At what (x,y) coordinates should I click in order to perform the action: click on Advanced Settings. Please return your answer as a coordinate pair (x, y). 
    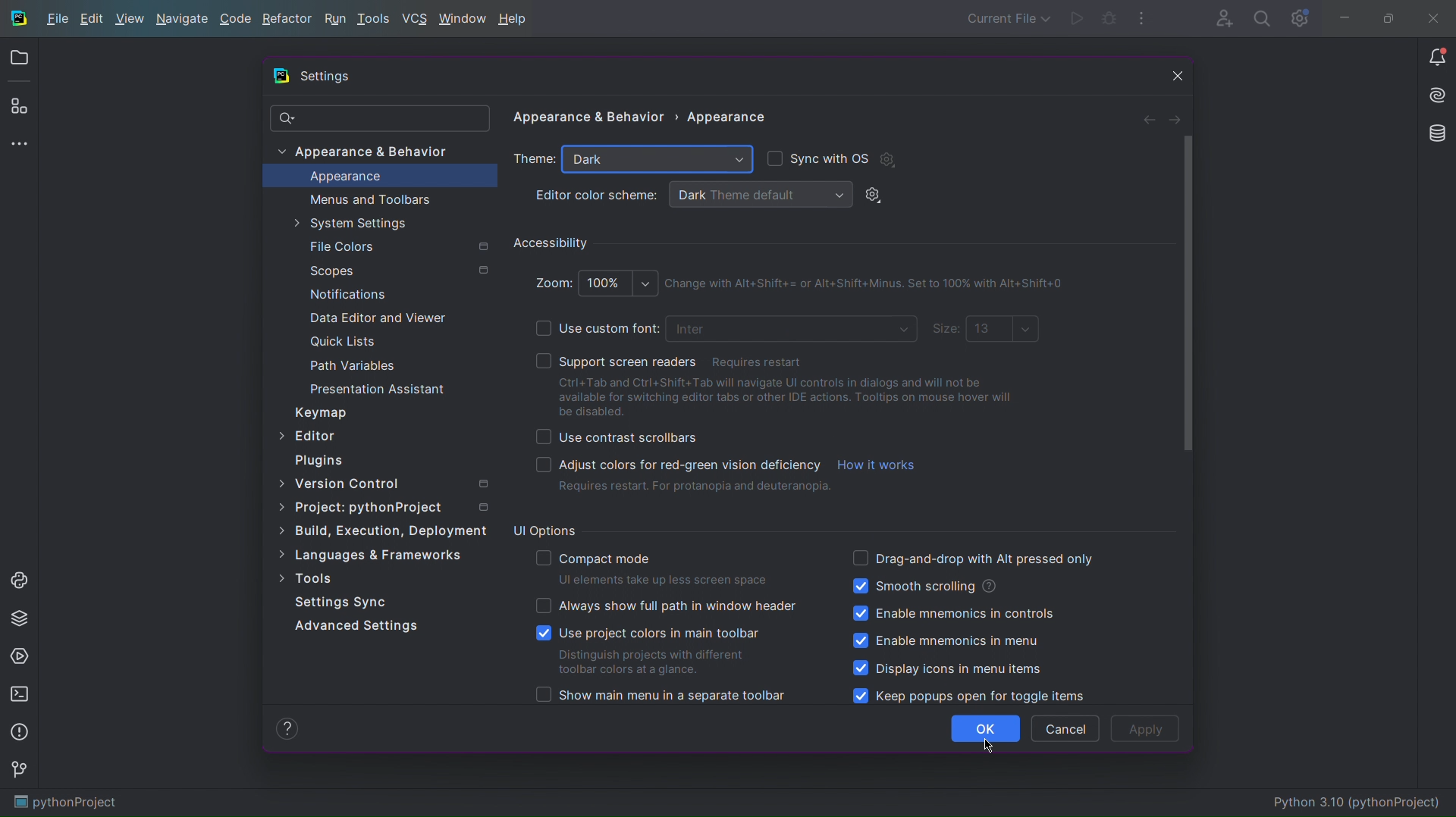
    Looking at the image, I should click on (359, 624).